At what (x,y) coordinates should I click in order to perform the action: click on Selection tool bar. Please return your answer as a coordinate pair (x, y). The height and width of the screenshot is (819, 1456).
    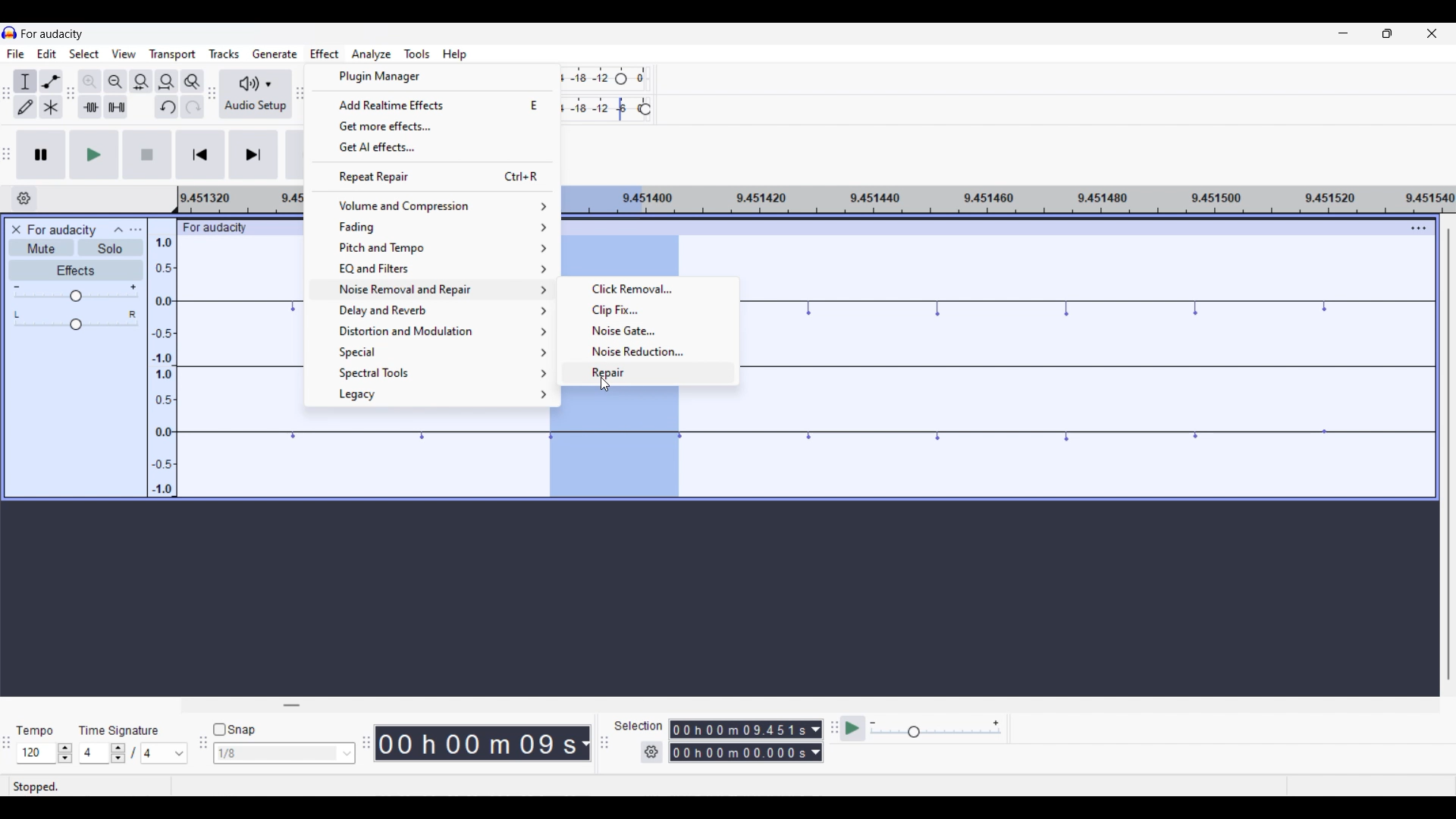
    Looking at the image, I should click on (604, 743).